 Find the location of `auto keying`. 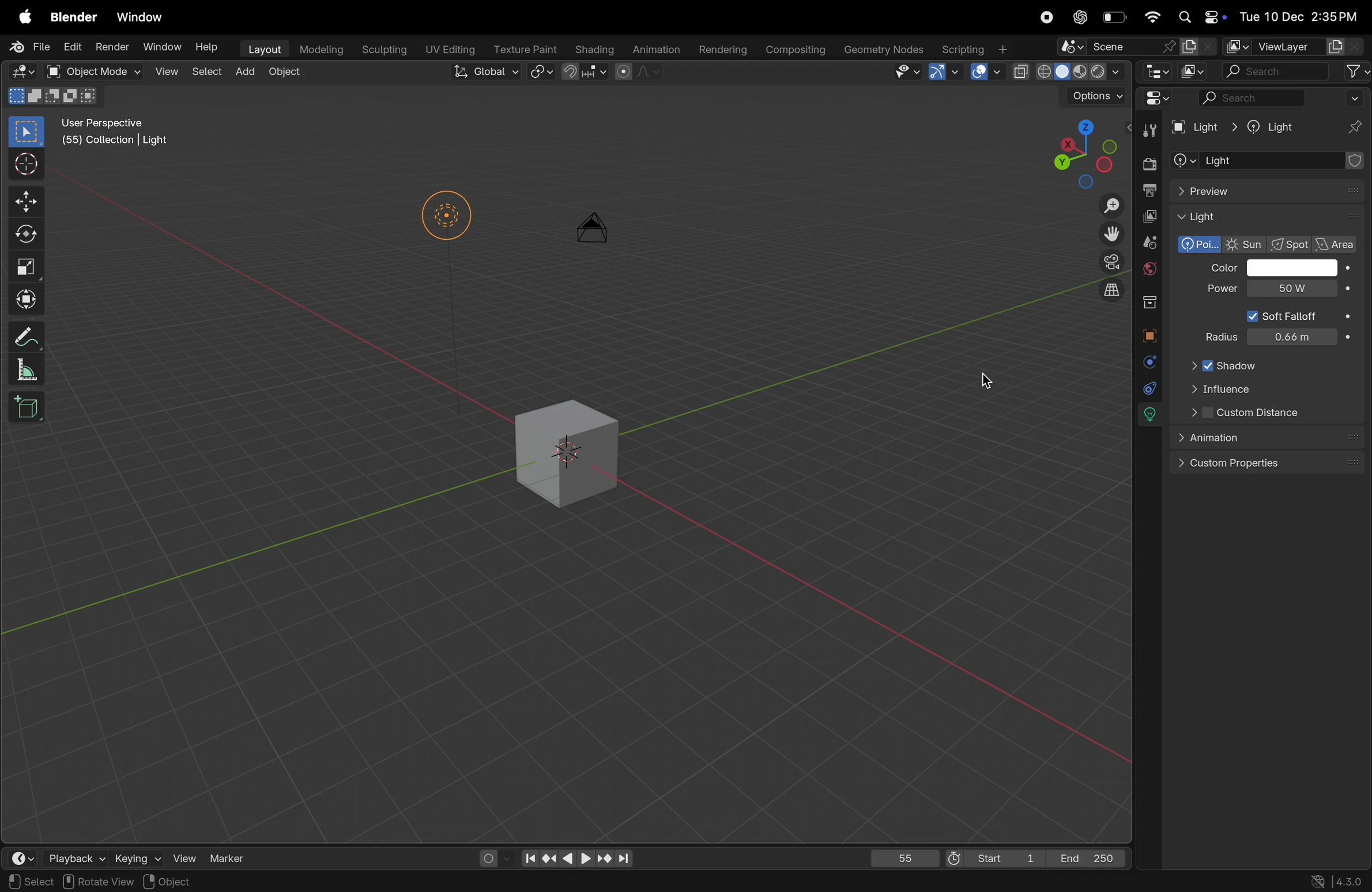

auto keying is located at coordinates (492, 857).